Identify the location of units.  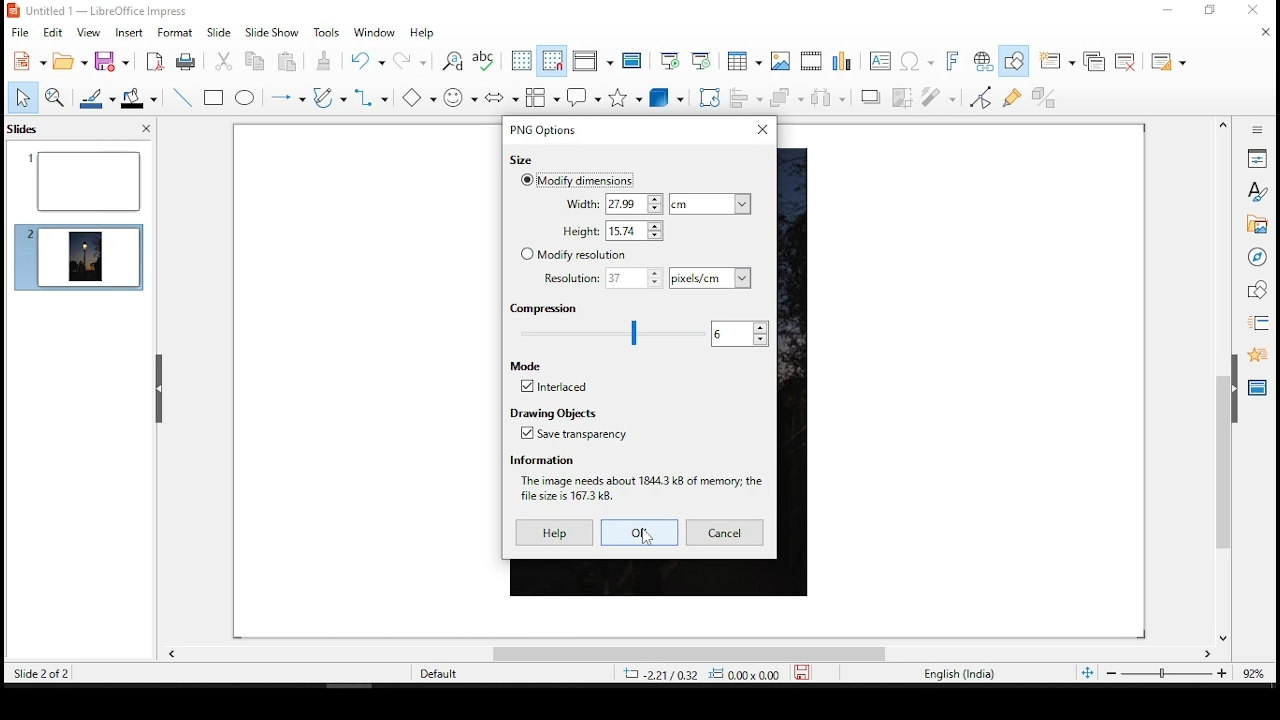
(709, 203).